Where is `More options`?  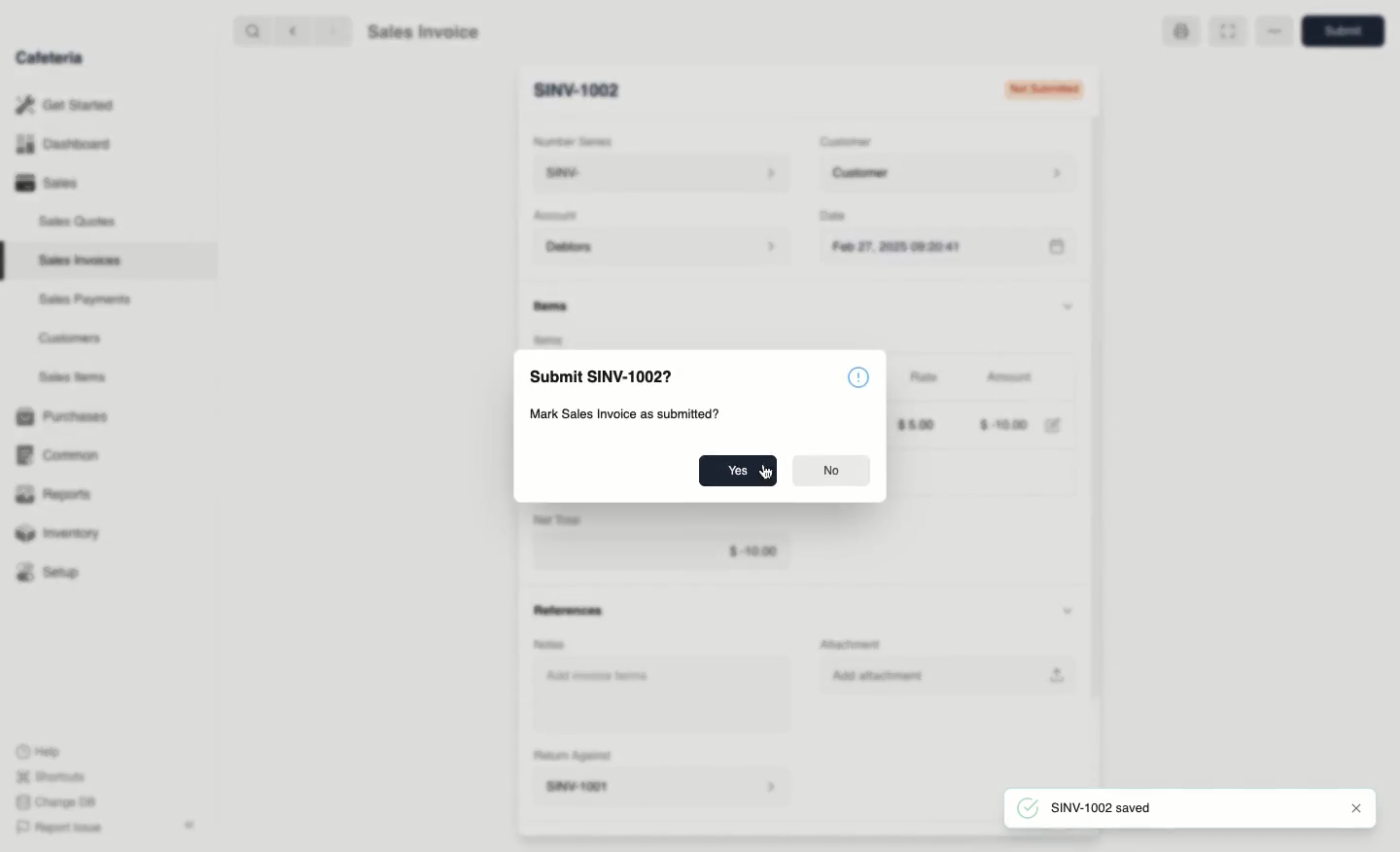 More options is located at coordinates (1277, 29).